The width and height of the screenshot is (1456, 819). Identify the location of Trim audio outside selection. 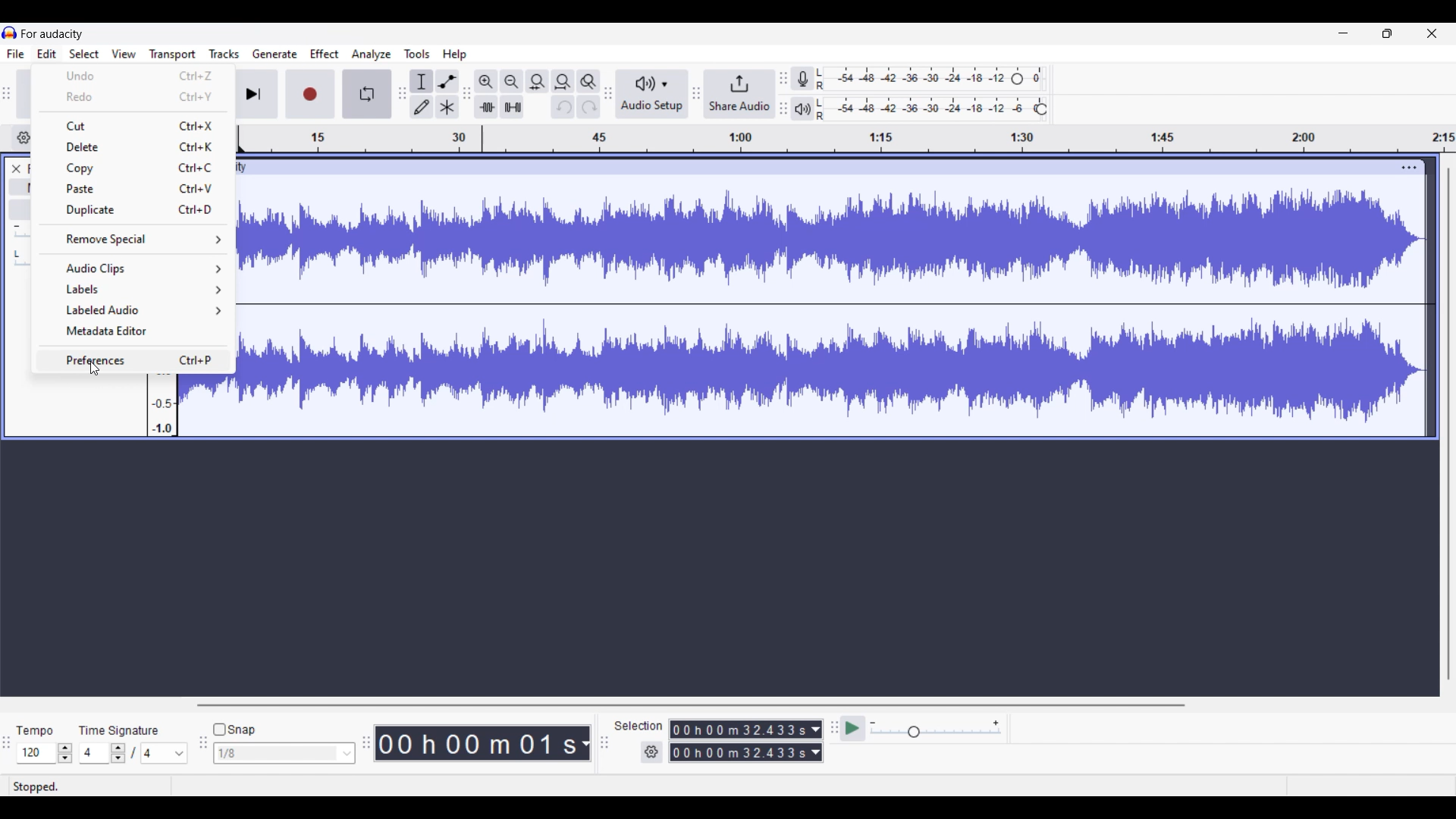
(486, 106).